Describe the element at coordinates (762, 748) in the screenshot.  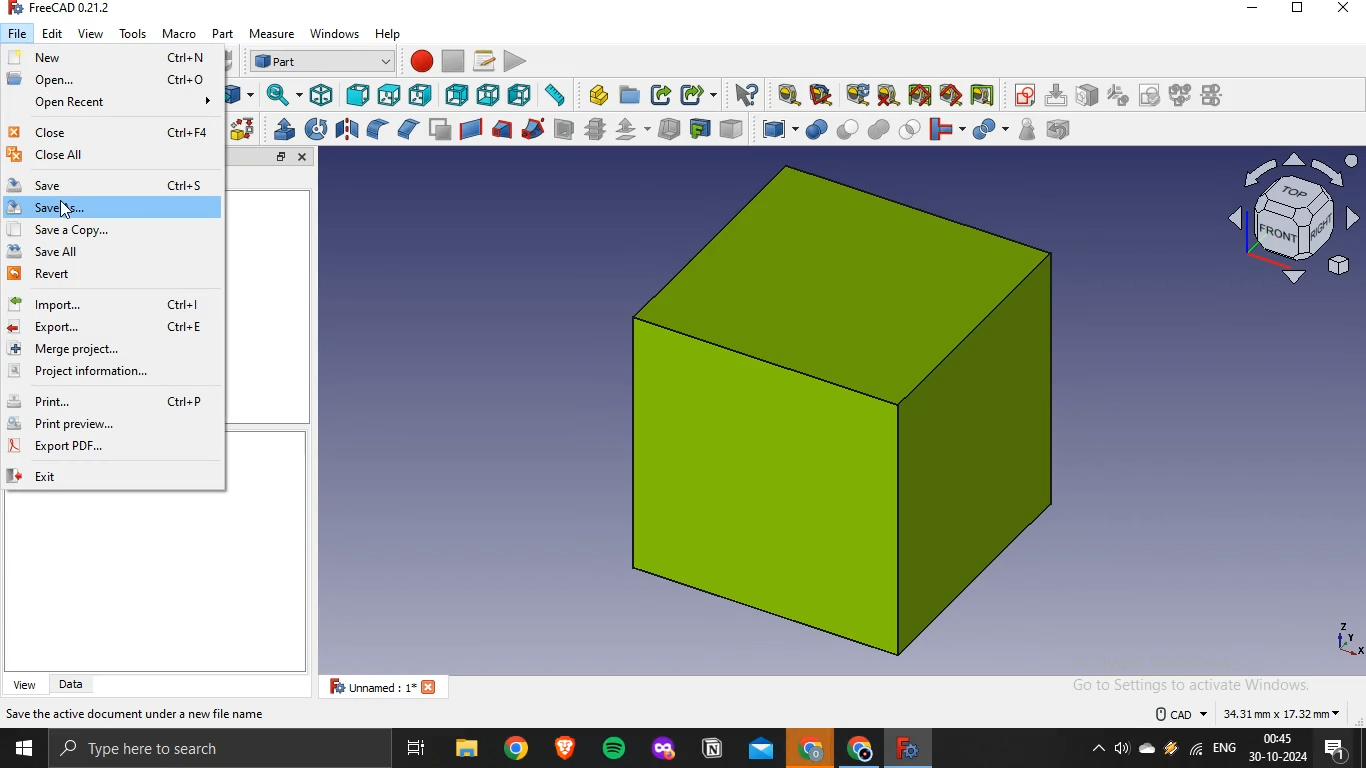
I see `outlook` at that location.